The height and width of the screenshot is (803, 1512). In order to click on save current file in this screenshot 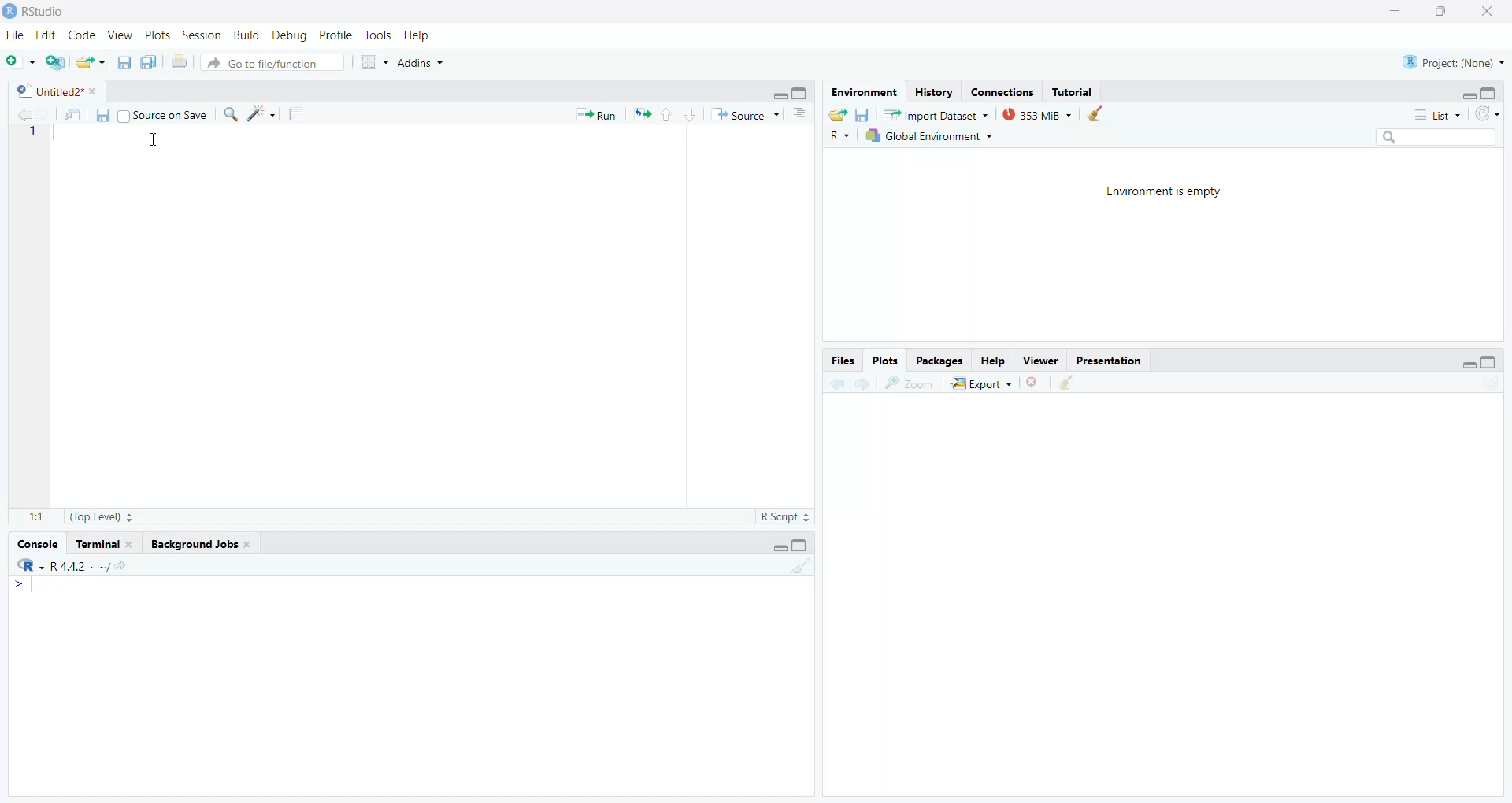, I will do `click(102, 117)`.